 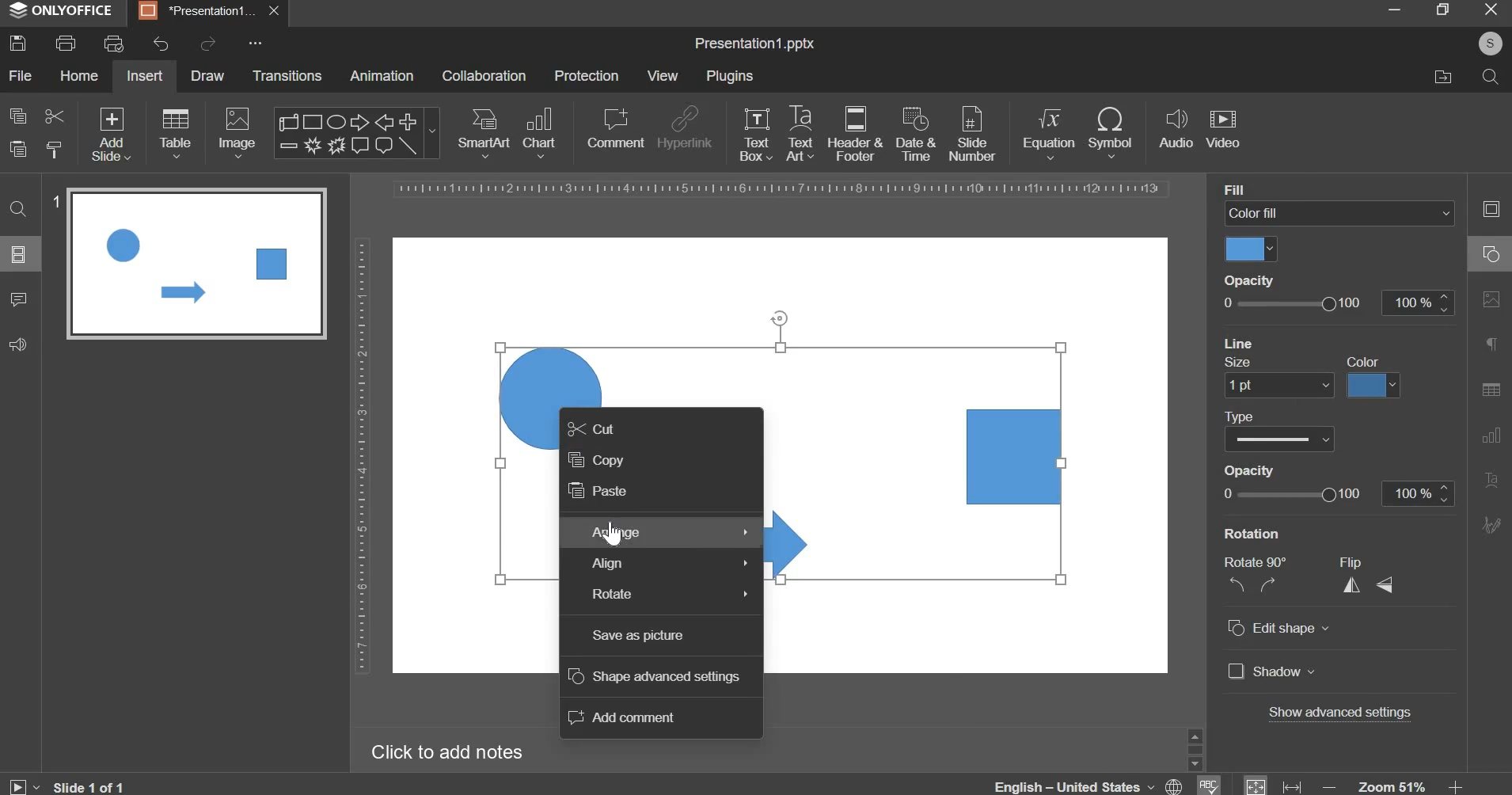 I want to click on draw, so click(x=209, y=74).